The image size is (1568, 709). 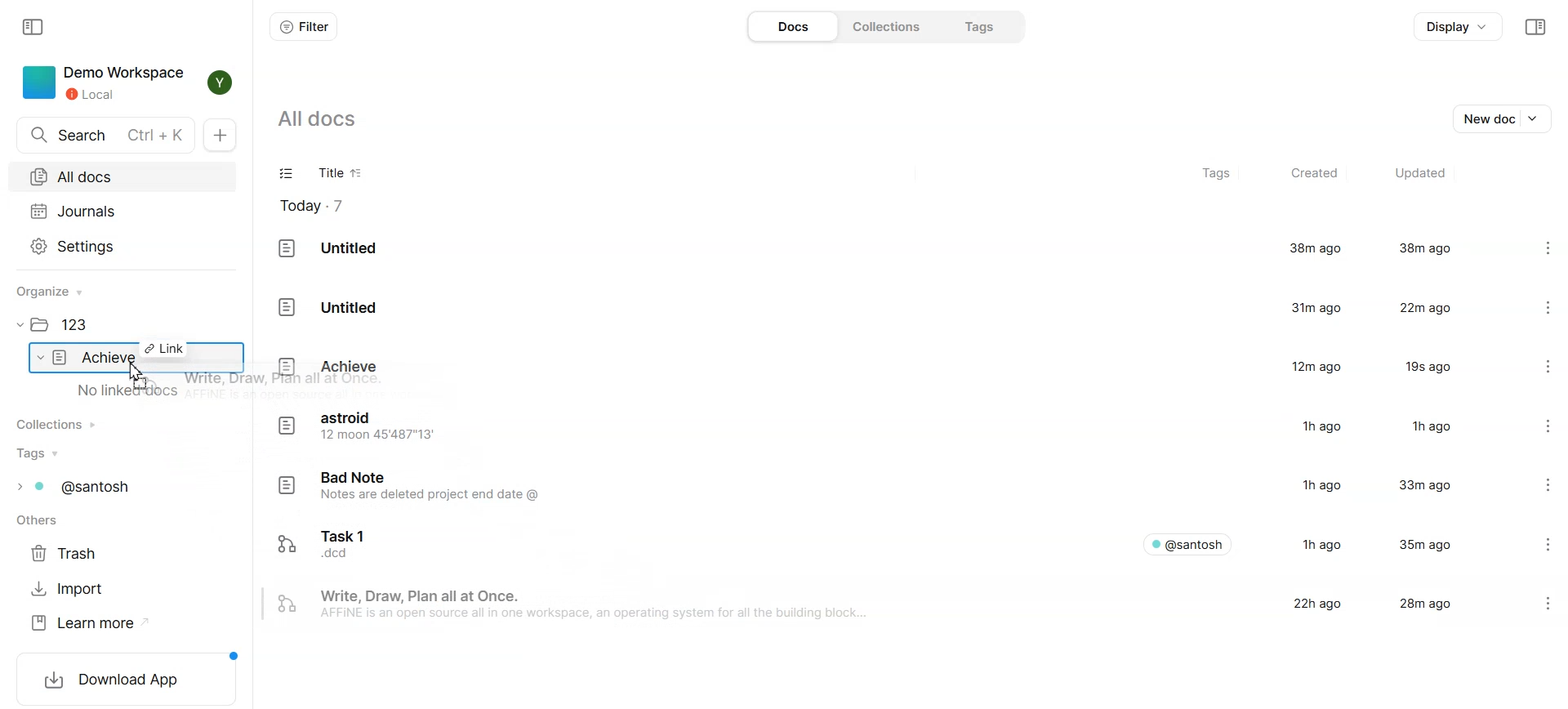 What do you see at coordinates (1553, 603) in the screenshot?
I see `Settings` at bounding box center [1553, 603].